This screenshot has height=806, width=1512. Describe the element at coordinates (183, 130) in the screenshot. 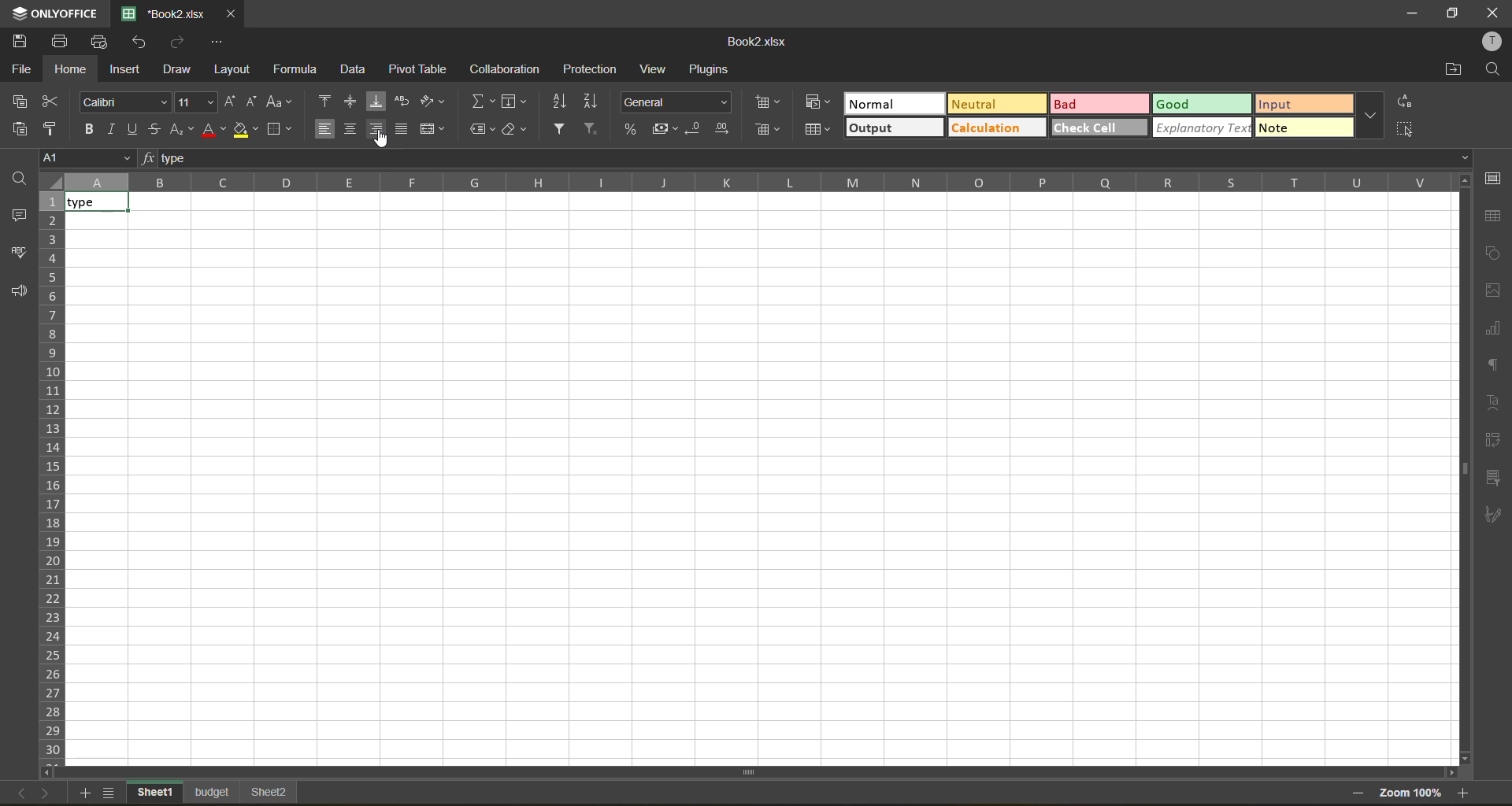

I see `sub/superscript` at that location.